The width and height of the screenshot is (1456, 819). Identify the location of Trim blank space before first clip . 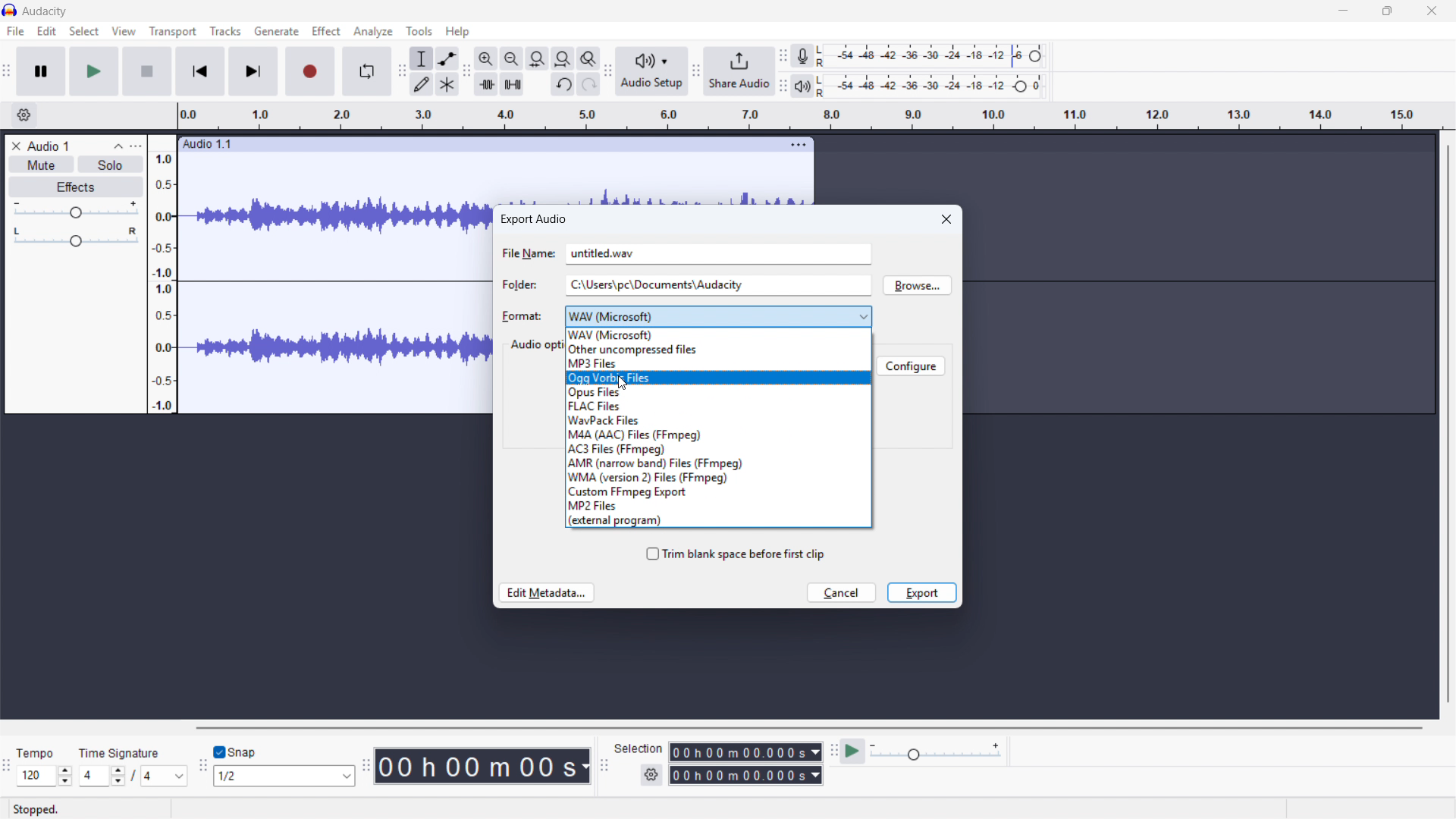
(736, 554).